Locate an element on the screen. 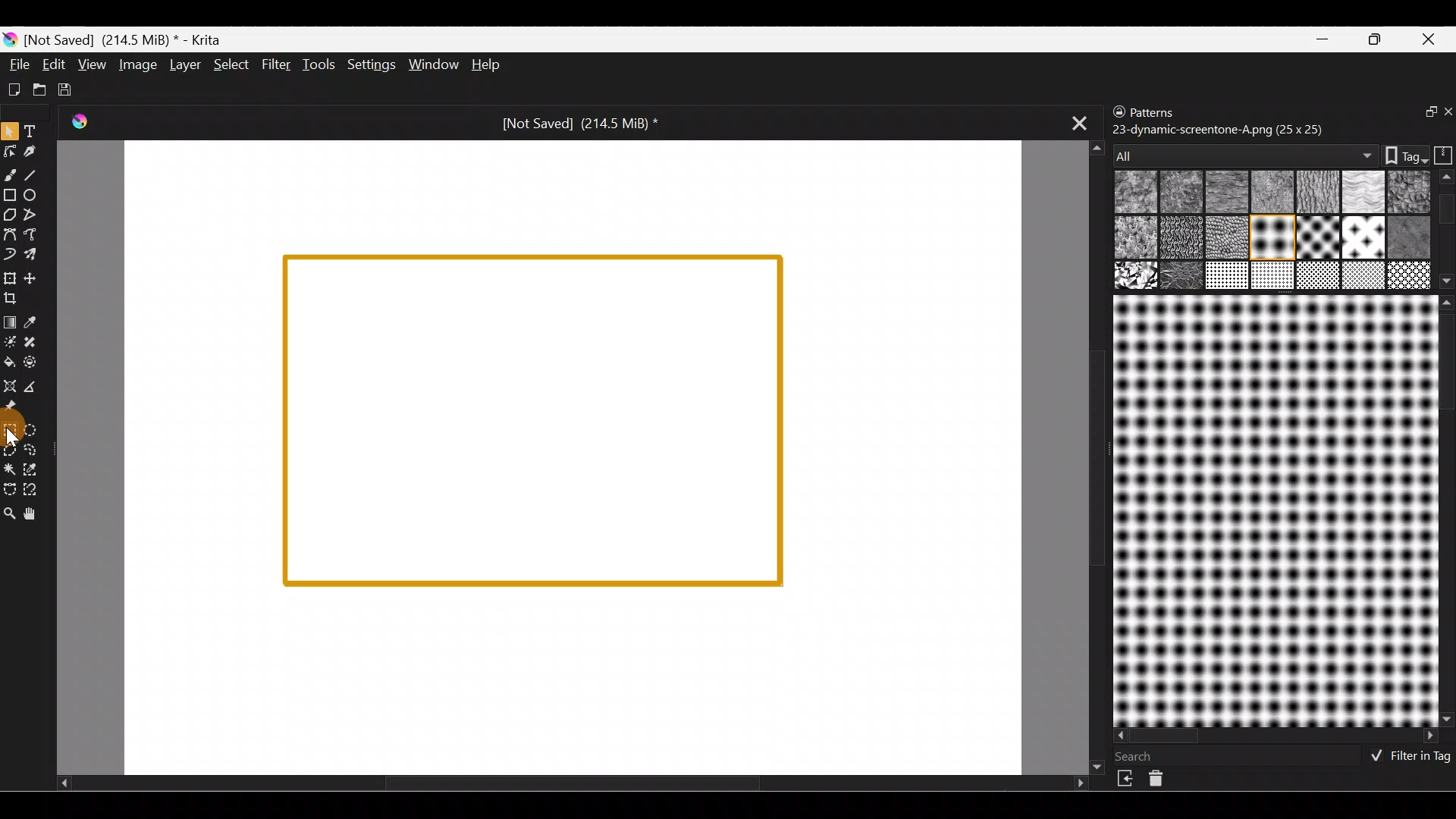  Create new document is located at coordinates (14, 90).